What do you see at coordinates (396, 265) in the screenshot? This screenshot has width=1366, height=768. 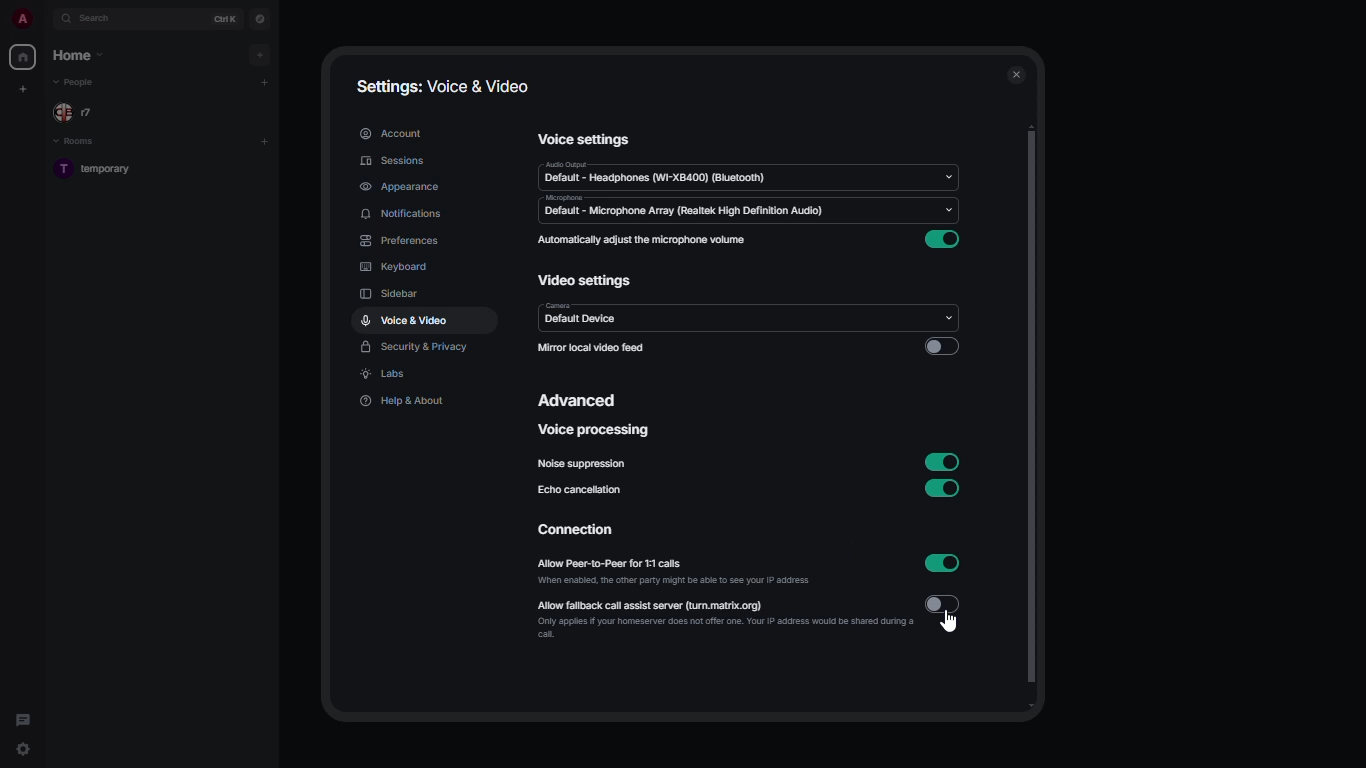 I see `keyboard` at bounding box center [396, 265].